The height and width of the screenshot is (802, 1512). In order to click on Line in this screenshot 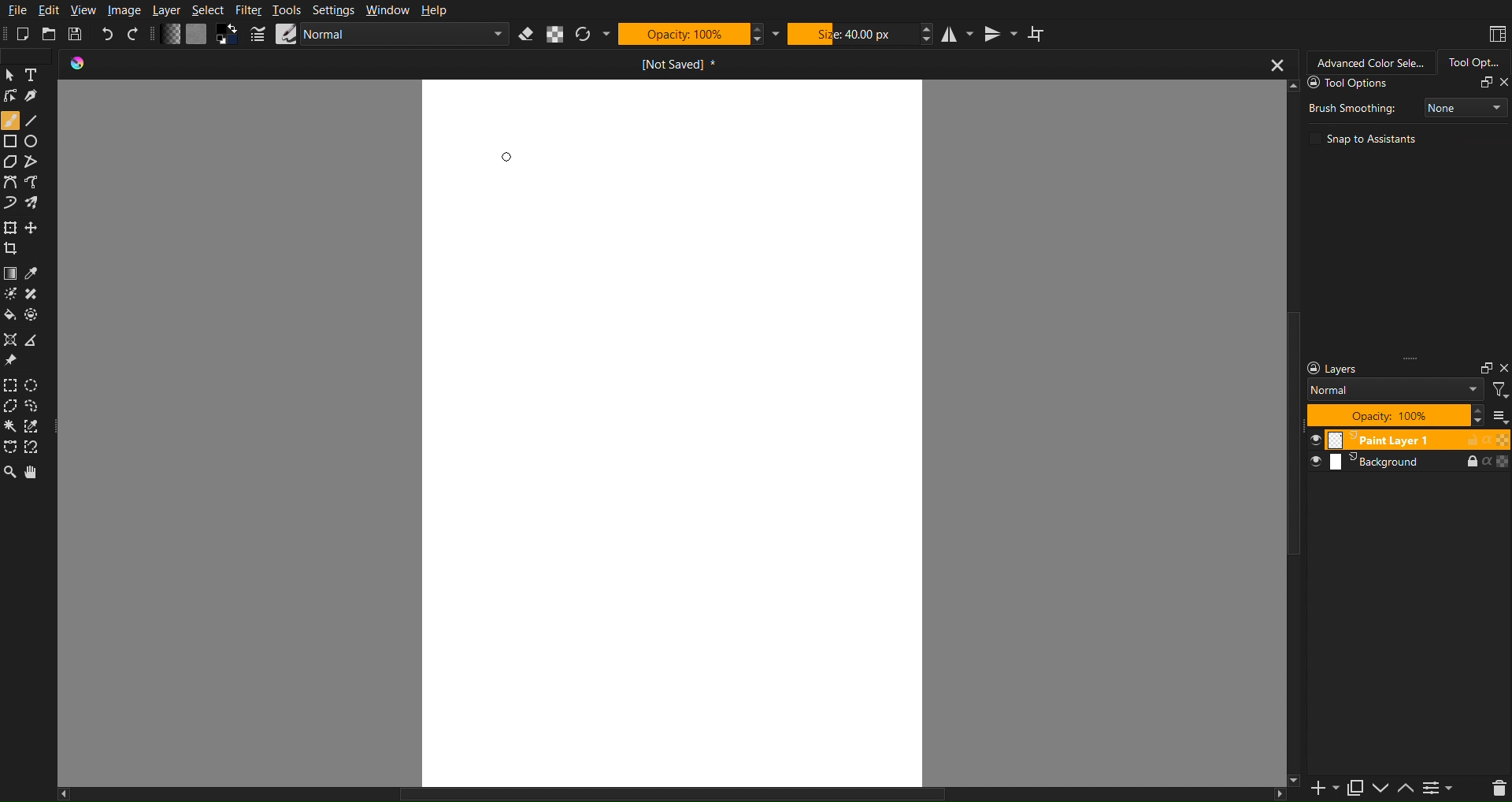, I will do `click(39, 121)`.